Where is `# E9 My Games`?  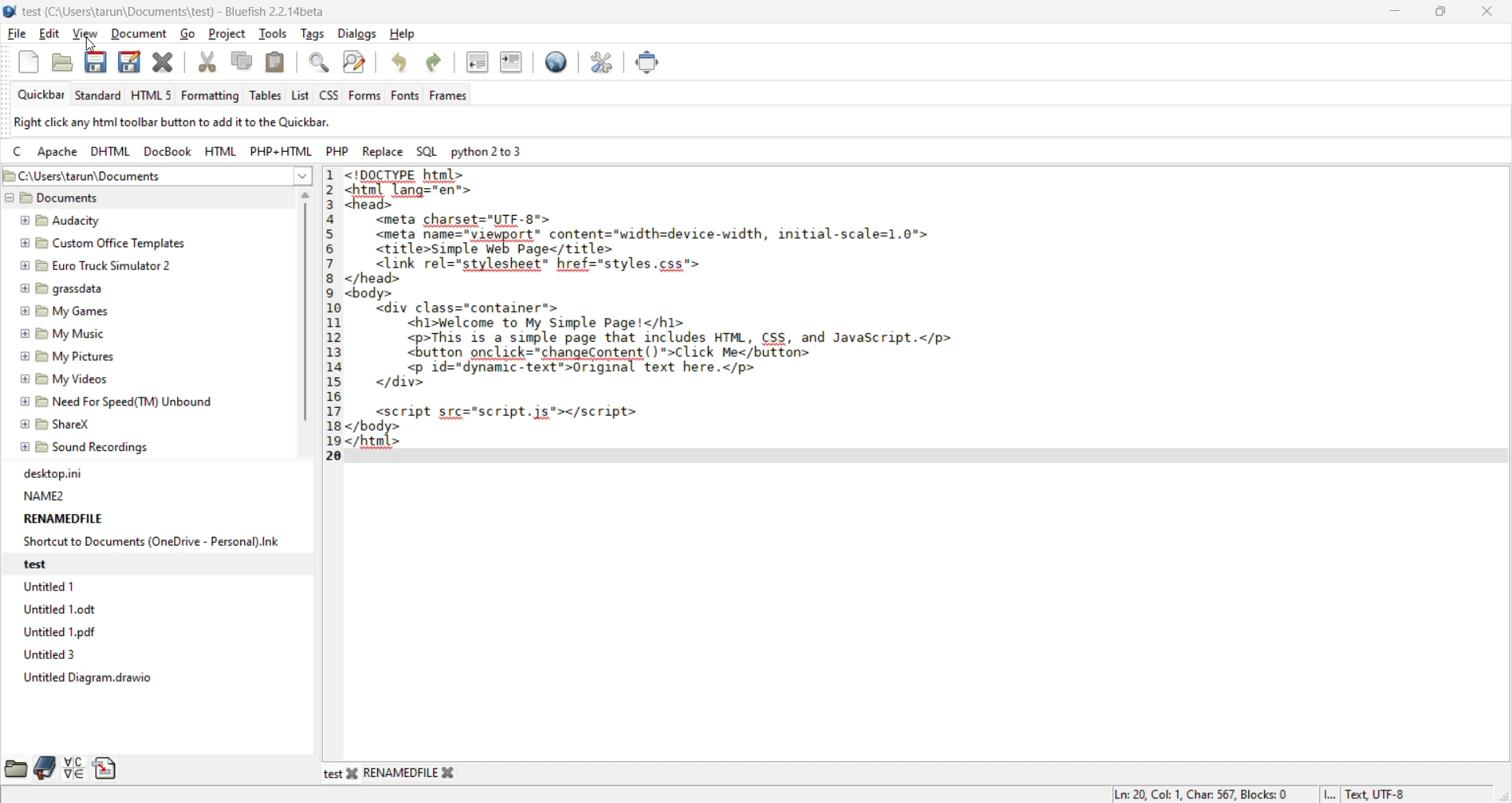
# E9 My Games is located at coordinates (63, 313).